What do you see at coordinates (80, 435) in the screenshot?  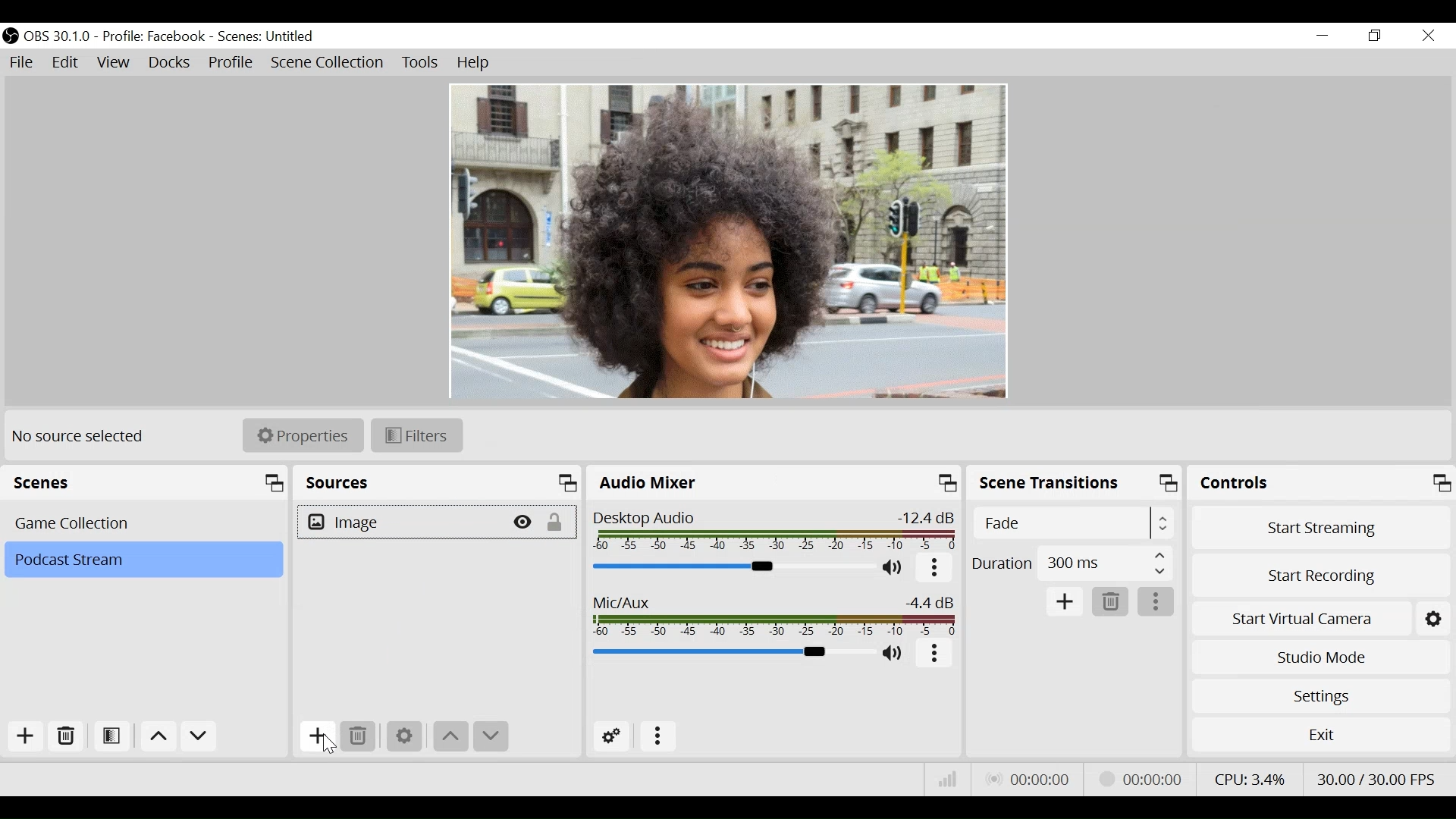 I see `No Source Selected` at bounding box center [80, 435].